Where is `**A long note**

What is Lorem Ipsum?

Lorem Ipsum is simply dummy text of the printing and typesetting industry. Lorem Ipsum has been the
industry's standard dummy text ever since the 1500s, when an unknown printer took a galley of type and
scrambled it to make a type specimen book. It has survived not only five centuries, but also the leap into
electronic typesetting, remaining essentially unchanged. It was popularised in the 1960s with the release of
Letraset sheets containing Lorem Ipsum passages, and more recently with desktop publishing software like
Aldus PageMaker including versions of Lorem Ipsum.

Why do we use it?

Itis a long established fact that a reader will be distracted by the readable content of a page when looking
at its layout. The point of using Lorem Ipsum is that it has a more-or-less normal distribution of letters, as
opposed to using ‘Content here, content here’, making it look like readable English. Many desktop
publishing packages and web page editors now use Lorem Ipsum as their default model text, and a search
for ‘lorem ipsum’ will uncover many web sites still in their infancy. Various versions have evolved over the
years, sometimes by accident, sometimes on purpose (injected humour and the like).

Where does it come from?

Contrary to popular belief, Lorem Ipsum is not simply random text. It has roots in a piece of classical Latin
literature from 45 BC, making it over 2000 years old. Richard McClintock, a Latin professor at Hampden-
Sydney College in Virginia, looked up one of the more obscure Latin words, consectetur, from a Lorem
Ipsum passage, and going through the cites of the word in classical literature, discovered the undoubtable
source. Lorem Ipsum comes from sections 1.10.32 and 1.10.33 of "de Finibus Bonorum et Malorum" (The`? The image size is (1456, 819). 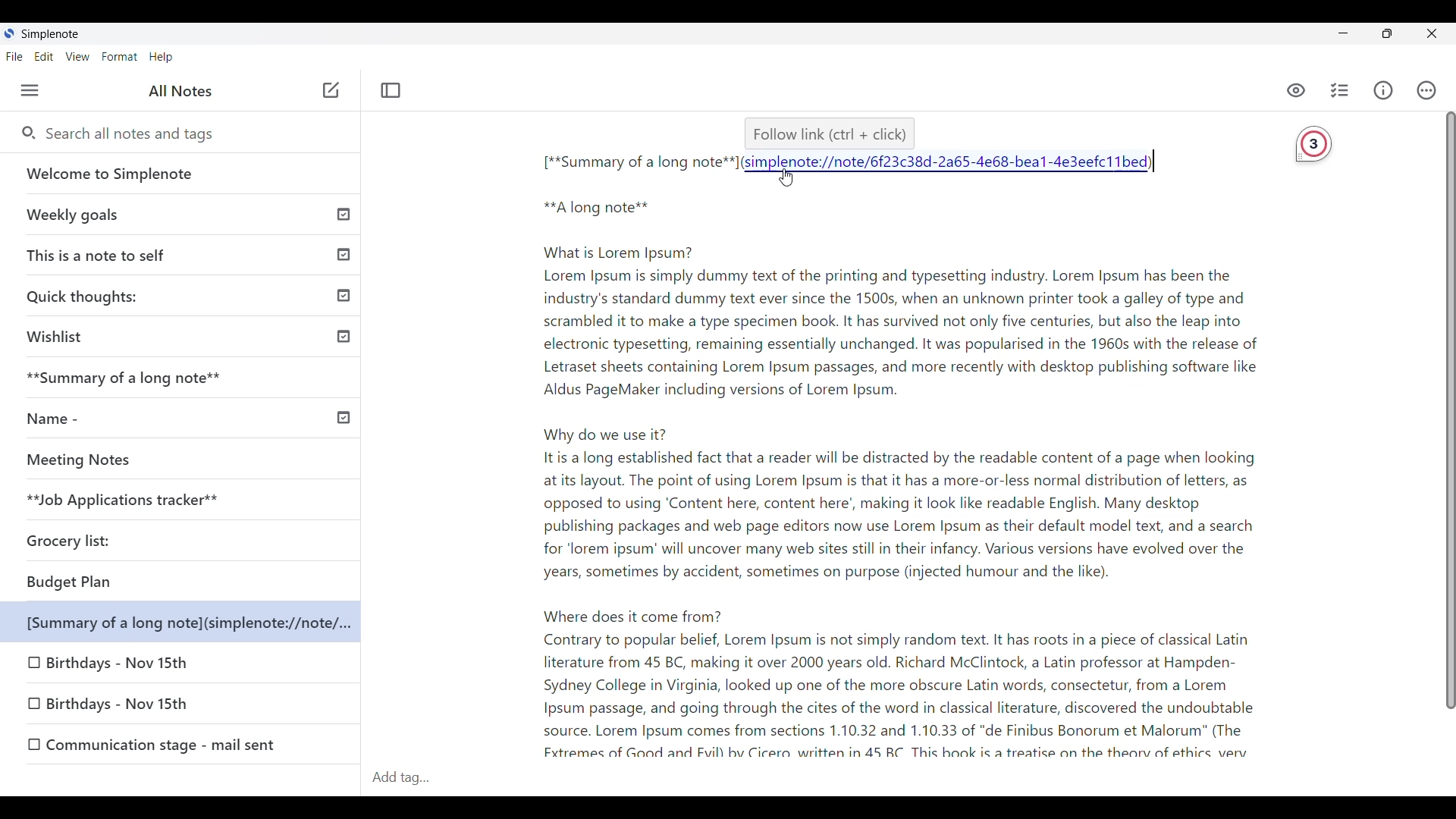
**A long note**

What is Lorem Ipsum?

Lorem Ipsum is simply dummy text of the printing and typesetting industry. Lorem Ipsum has been the
industry's standard dummy text ever since the 1500s, when an unknown printer took a galley of type and
scrambled it to make a type specimen book. It has survived not only five centuries, but also the leap into
electronic typesetting, remaining essentially unchanged. It was popularised in the 1960s with the release of
Letraset sheets containing Lorem Ipsum passages, and more recently with desktop publishing software like
Aldus PageMaker including versions of Lorem Ipsum.

Why do we use it?

Itis a long established fact that a reader will be distracted by the readable content of a page when looking
at its layout. The point of using Lorem Ipsum is that it has a more-or-less normal distribution of letters, as
opposed to using ‘Content here, content here’, making it look like readable English. Many desktop
publishing packages and web page editors now use Lorem Ipsum as their default model text, and a search
for ‘lorem ipsum’ will uncover many web sites still in their infancy. Various versions have evolved over the
years, sometimes by accident, sometimes on purpose (injected humour and the like).

Where does it come from?

Contrary to popular belief, Lorem Ipsum is not simply random text. It has roots in a piece of classical Latin
literature from 45 BC, making it over 2000 years old. Richard McClintock, a Latin professor at Hampden-
Sydney College in Virginia, looked up one of the more obscure Latin words, consectetur, from a Lorem
Ipsum passage, and going through the cites of the word in classical literature, discovered the undoubtable
source. Lorem Ipsum comes from sections 1.10.32 and 1.10.33 of "de Finibus Bonorum et Malorum" (The is located at coordinates (846, 477).